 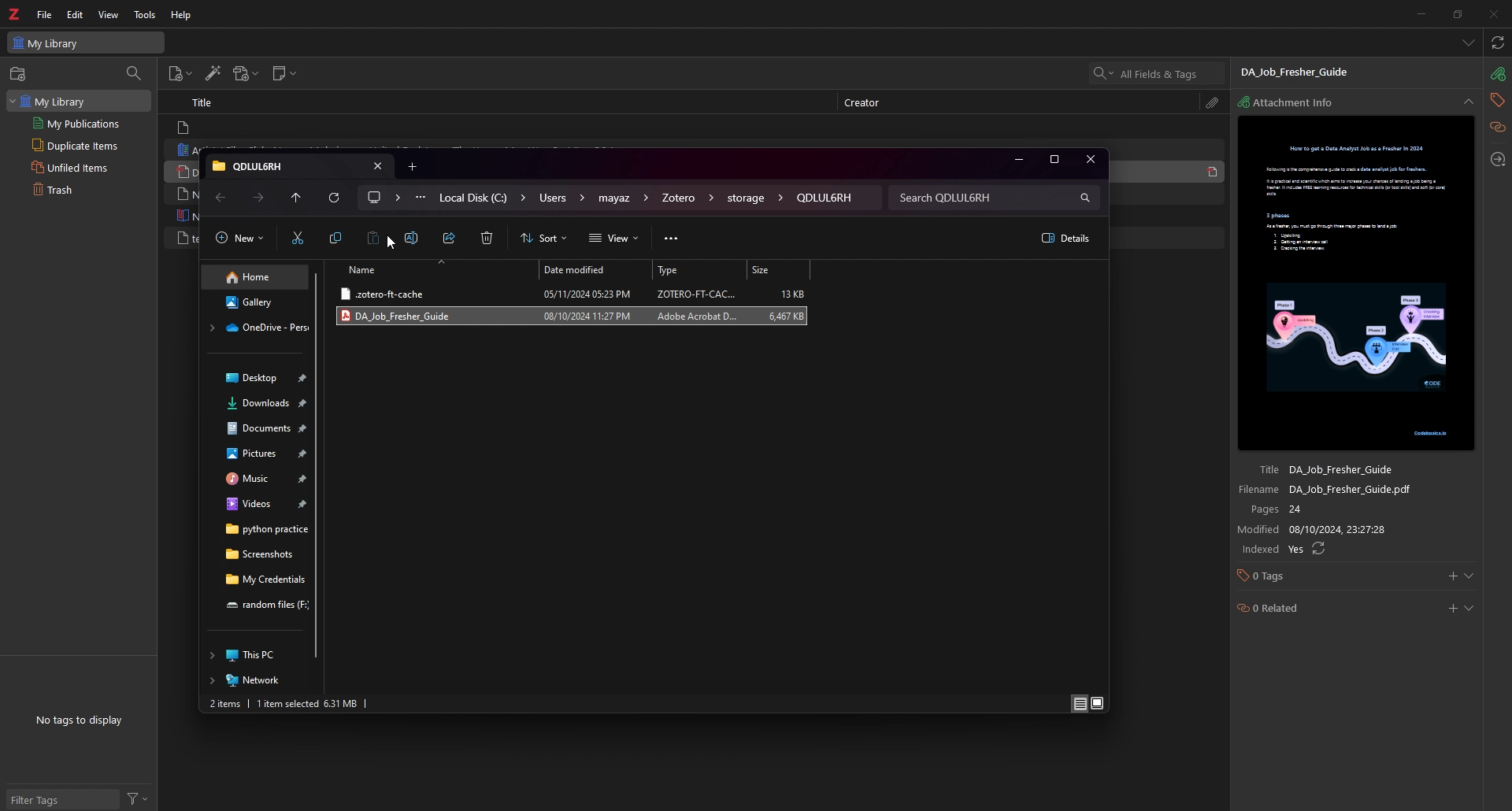 What do you see at coordinates (1470, 576) in the screenshot?
I see `show` at bounding box center [1470, 576].